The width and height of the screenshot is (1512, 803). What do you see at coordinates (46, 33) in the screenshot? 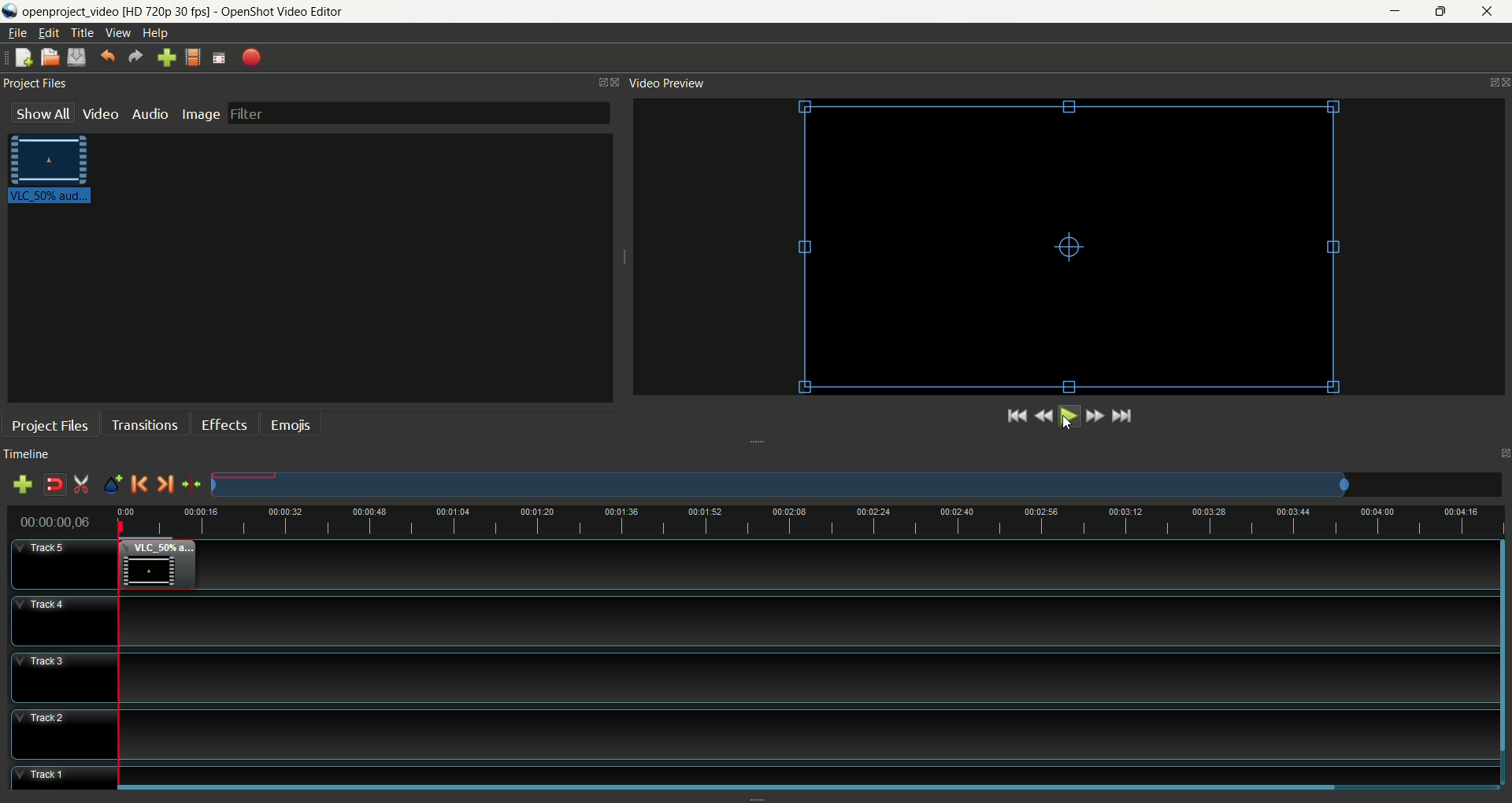
I see `edit` at bounding box center [46, 33].